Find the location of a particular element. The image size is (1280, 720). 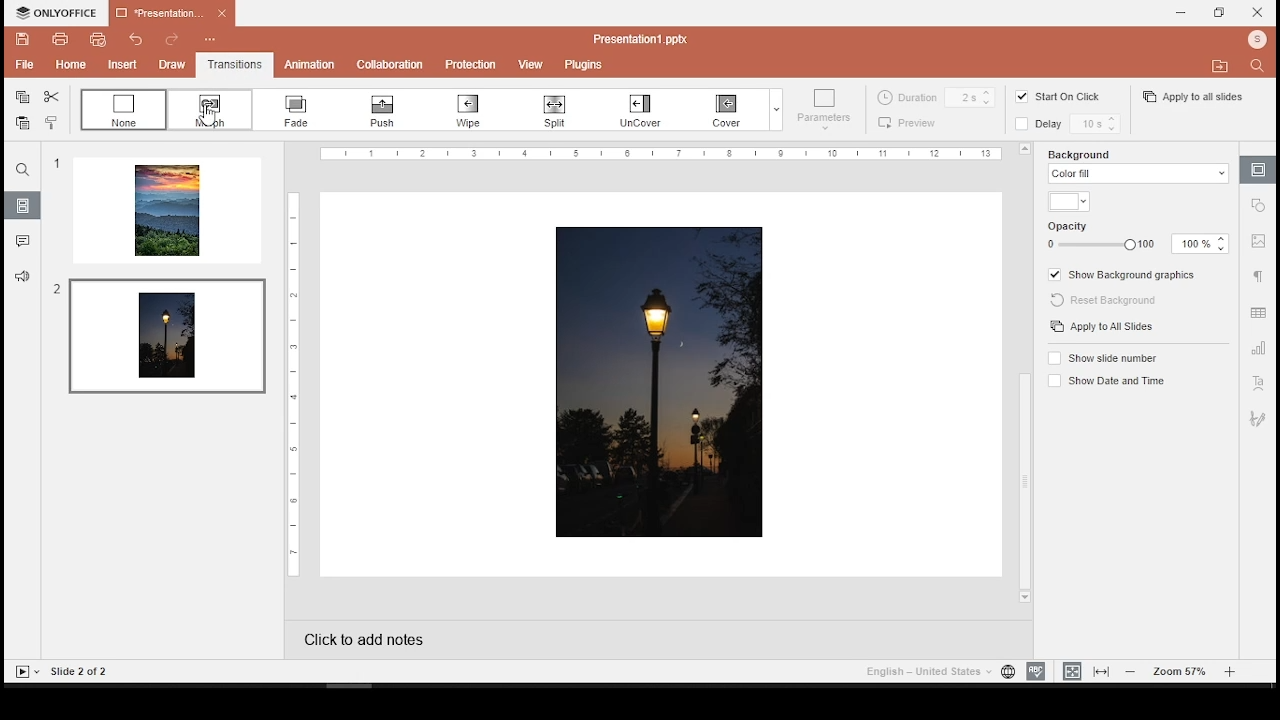

fit to slide is located at coordinates (1072, 671).